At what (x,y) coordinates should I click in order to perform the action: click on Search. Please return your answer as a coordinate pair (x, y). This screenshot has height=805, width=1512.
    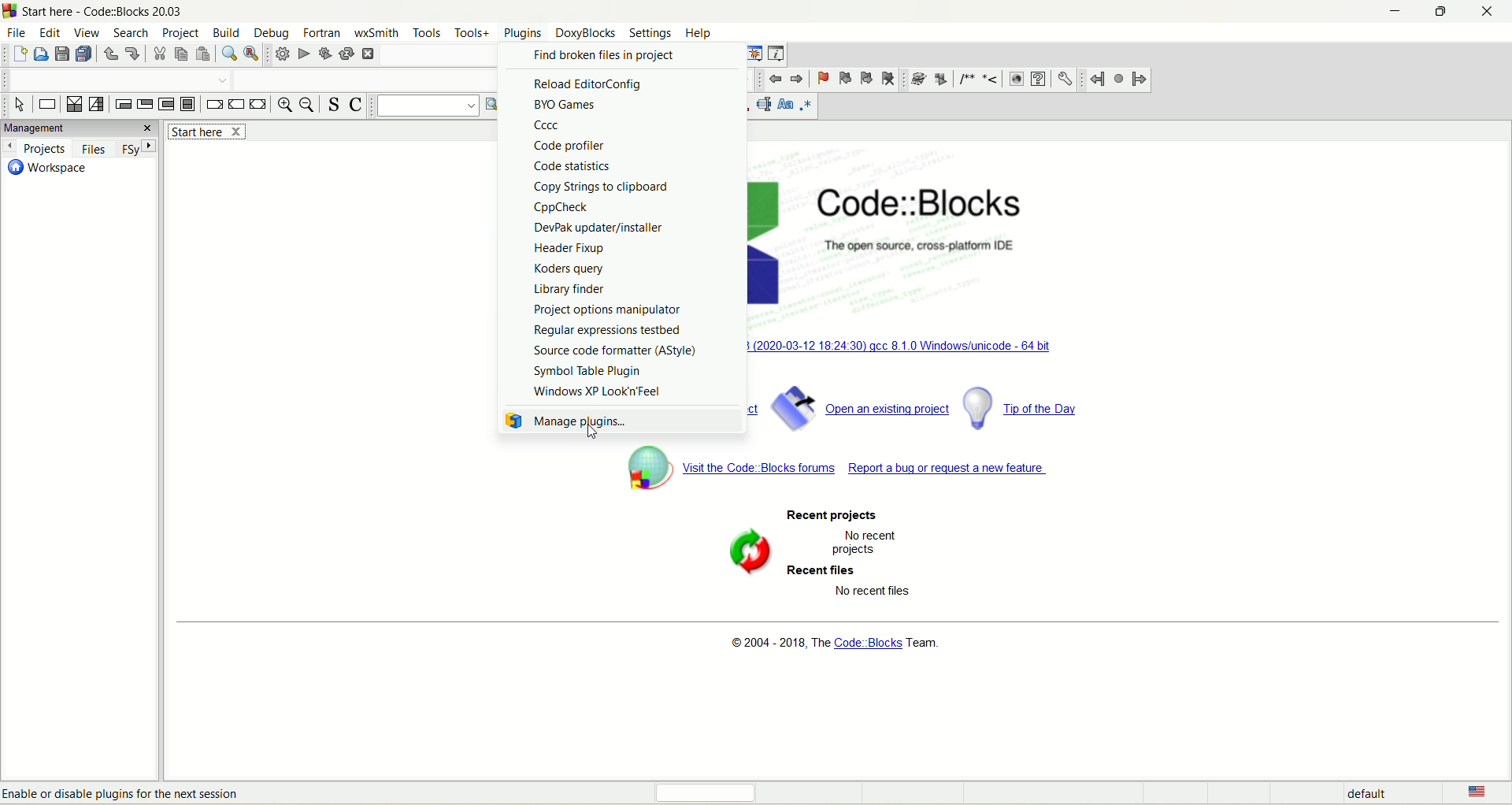
    Looking at the image, I should click on (438, 54).